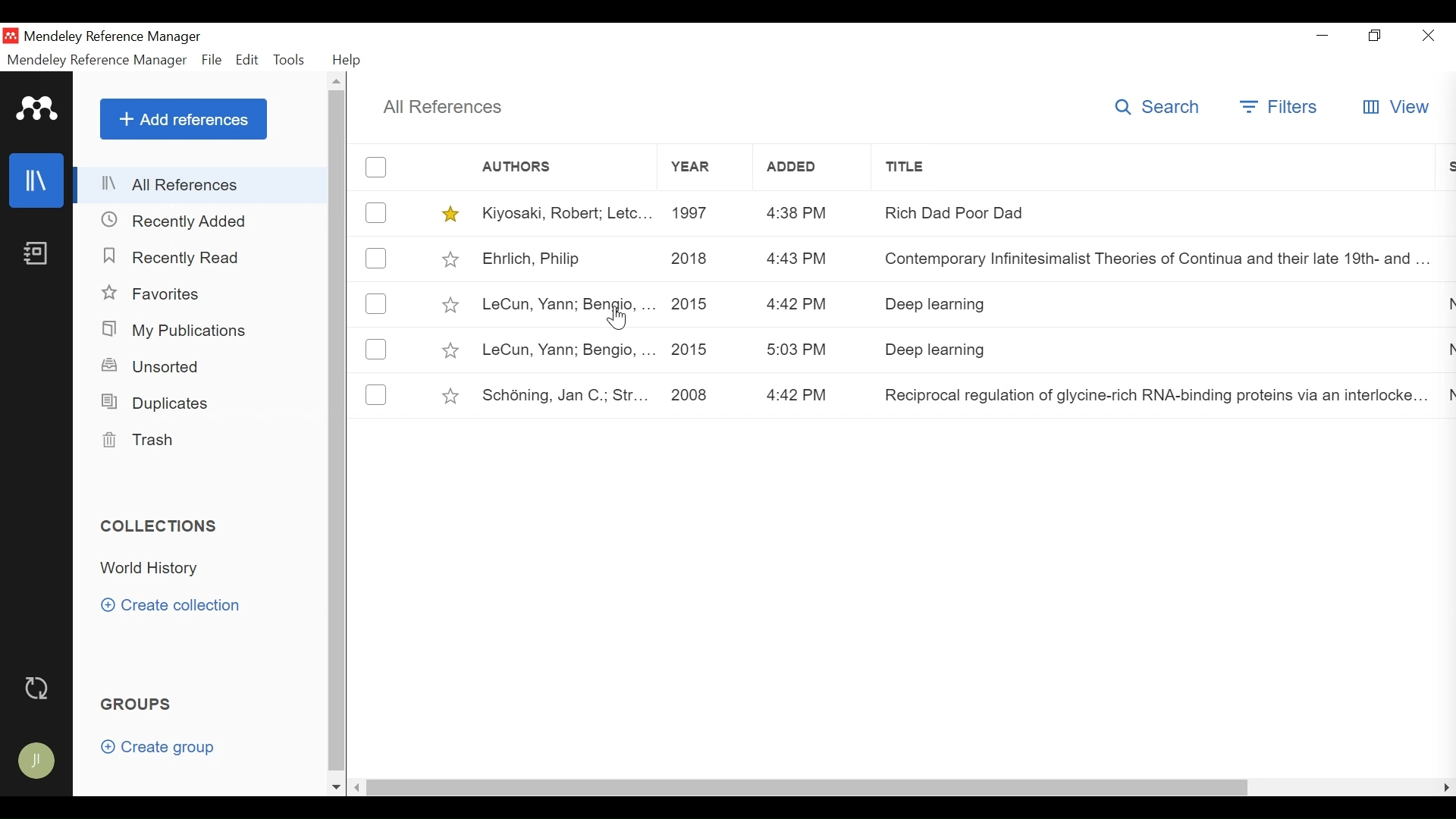 This screenshot has height=819, width=1456. Describe the element at coordinates (152, 402) in the screenshot. I see `Duplicates` at that location.